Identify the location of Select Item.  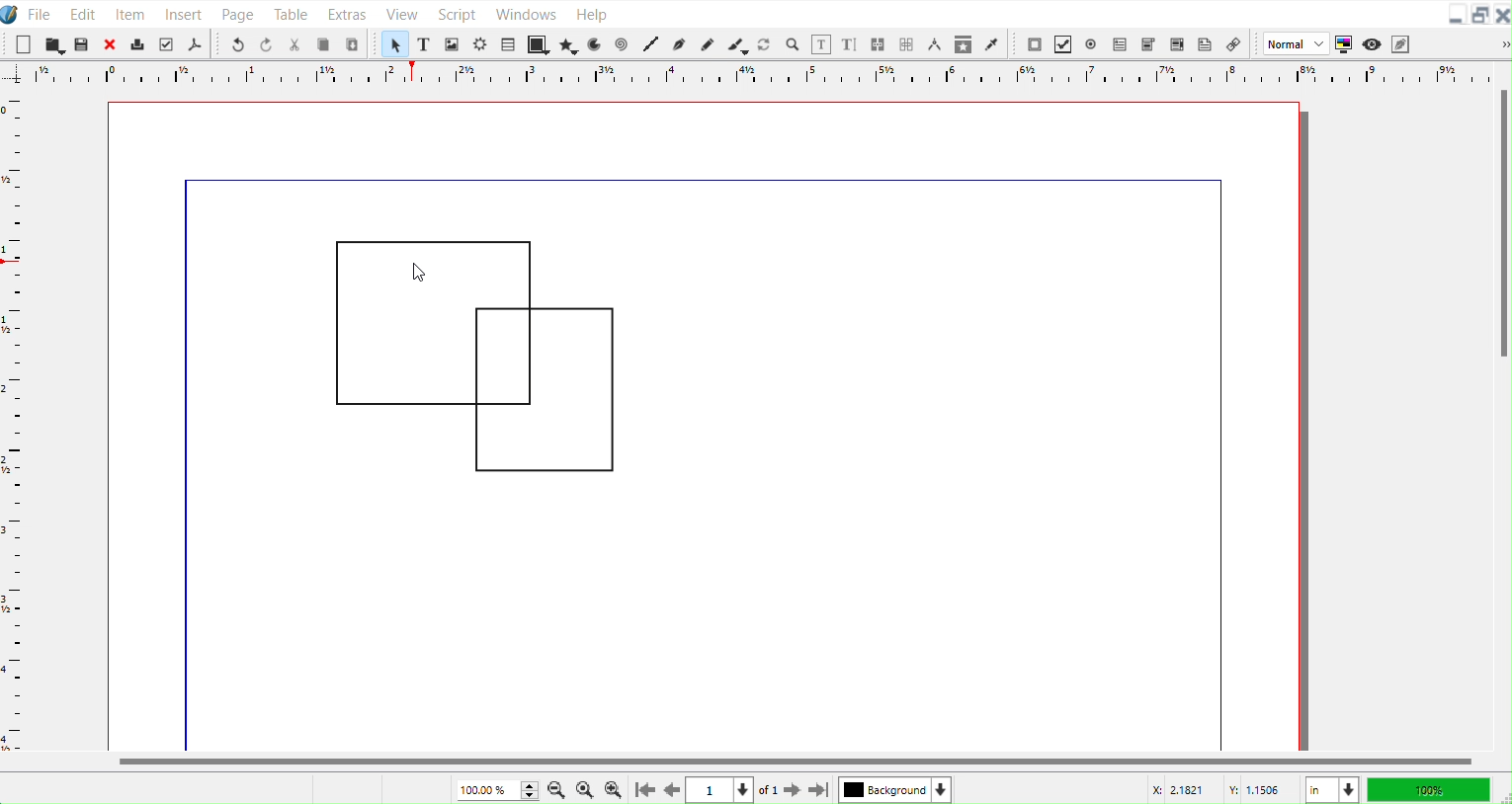
(395, 44).